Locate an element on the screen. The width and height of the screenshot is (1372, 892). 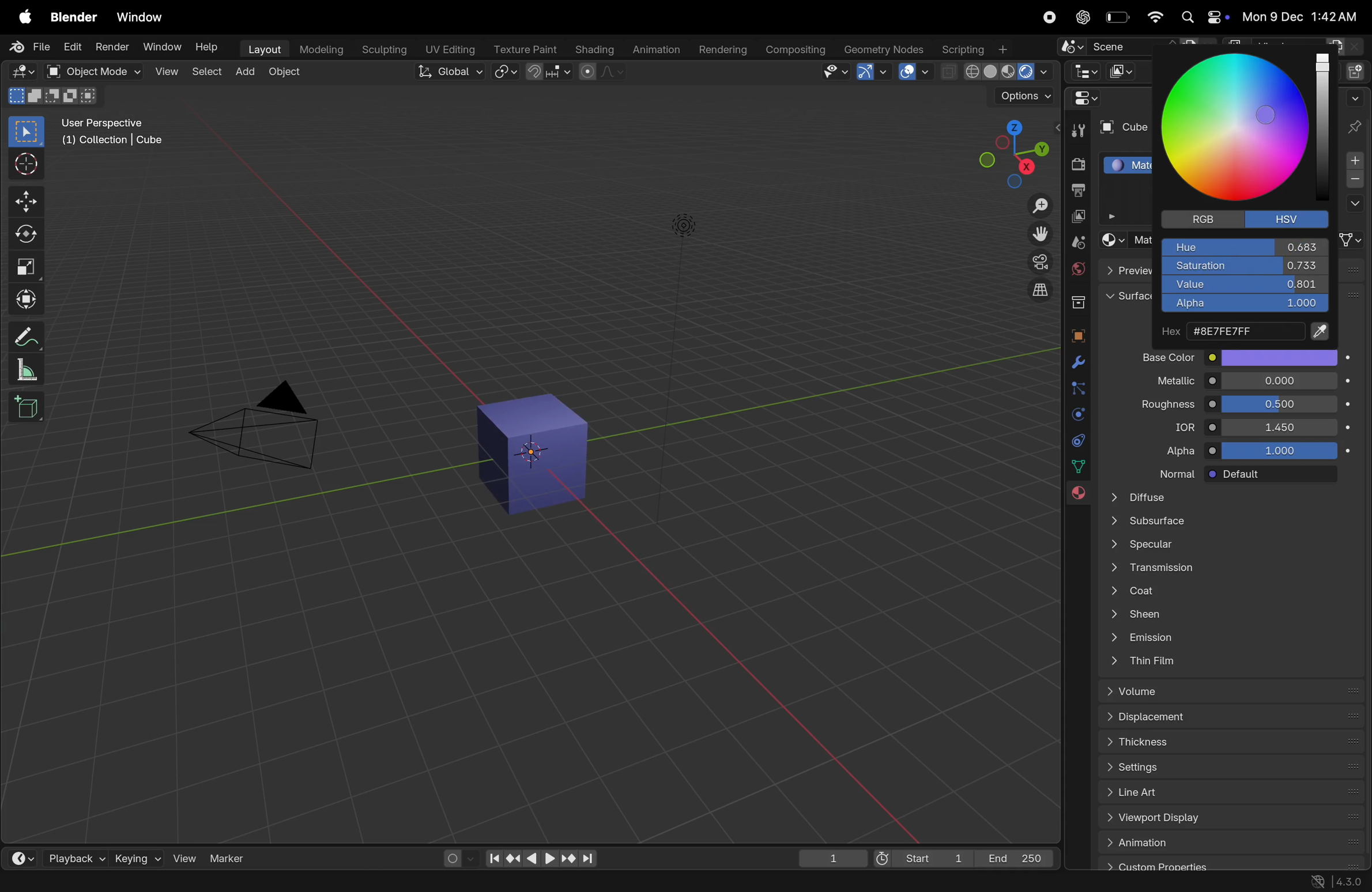
move view is located at coordinates (1041, 234).